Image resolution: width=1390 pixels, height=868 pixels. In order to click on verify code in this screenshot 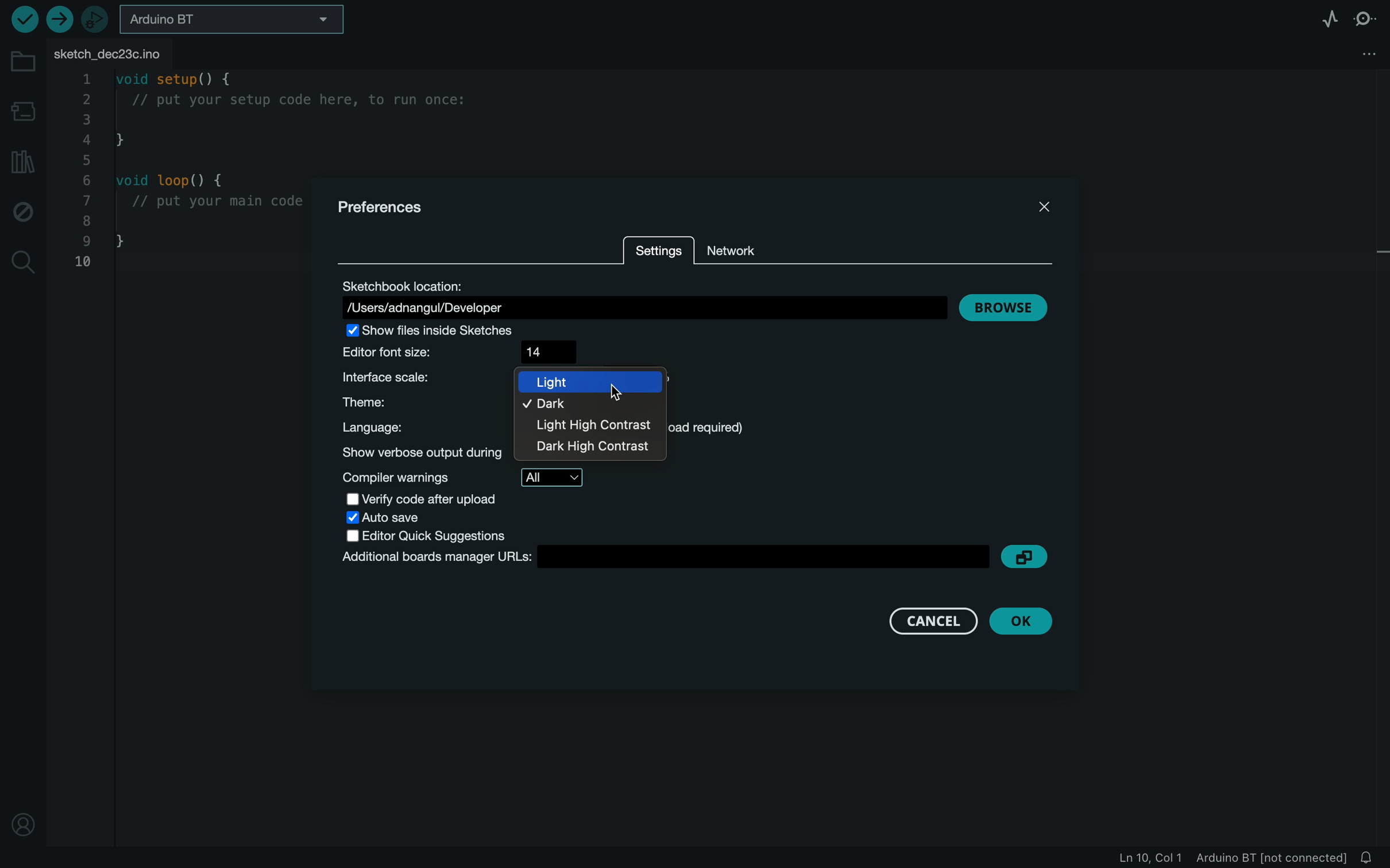, I will do `click(442, 499)`.